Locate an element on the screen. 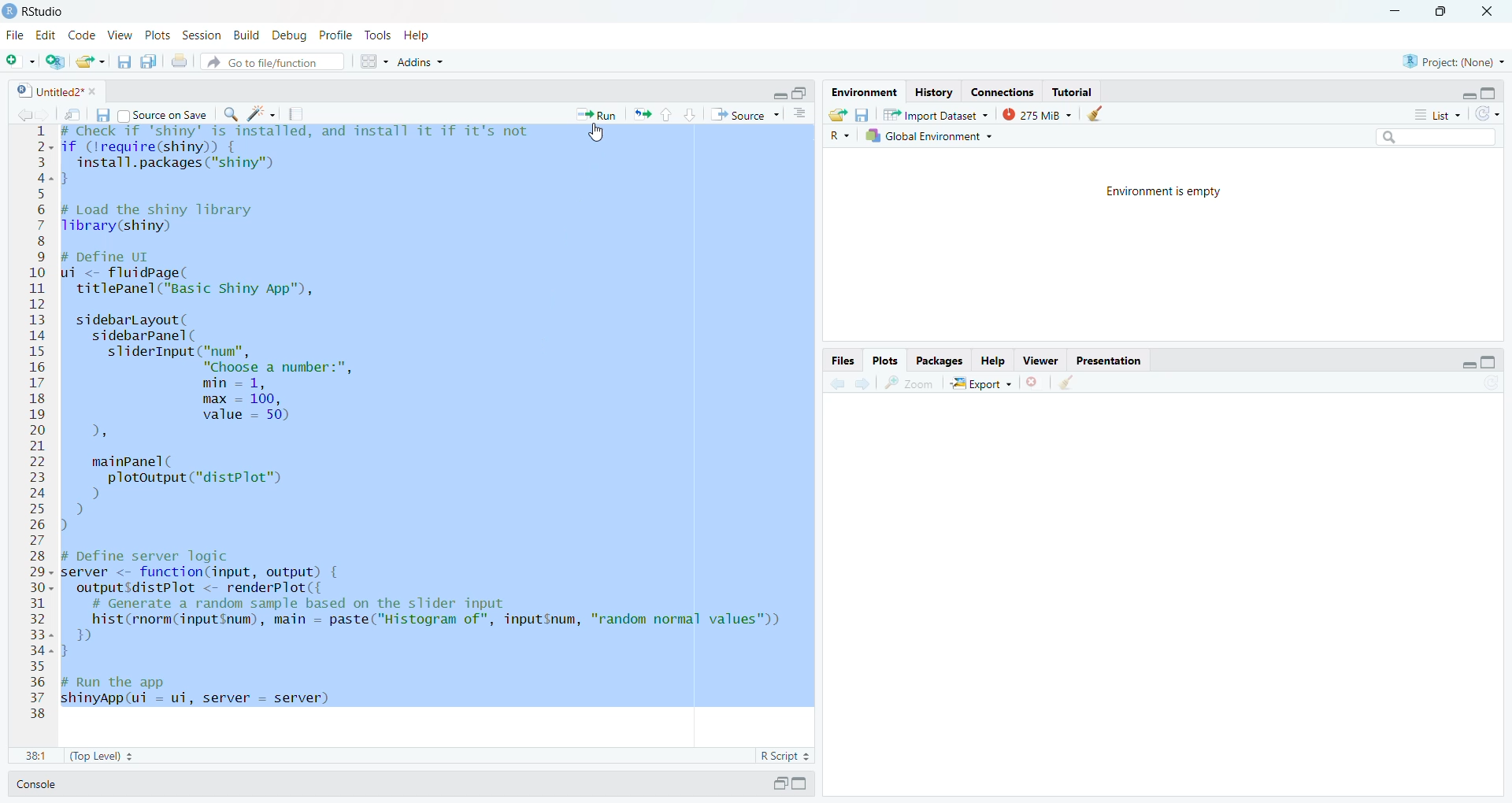 The width and height of the screenshot is (1512, 803). maximize is located at coordinates (801, 783).